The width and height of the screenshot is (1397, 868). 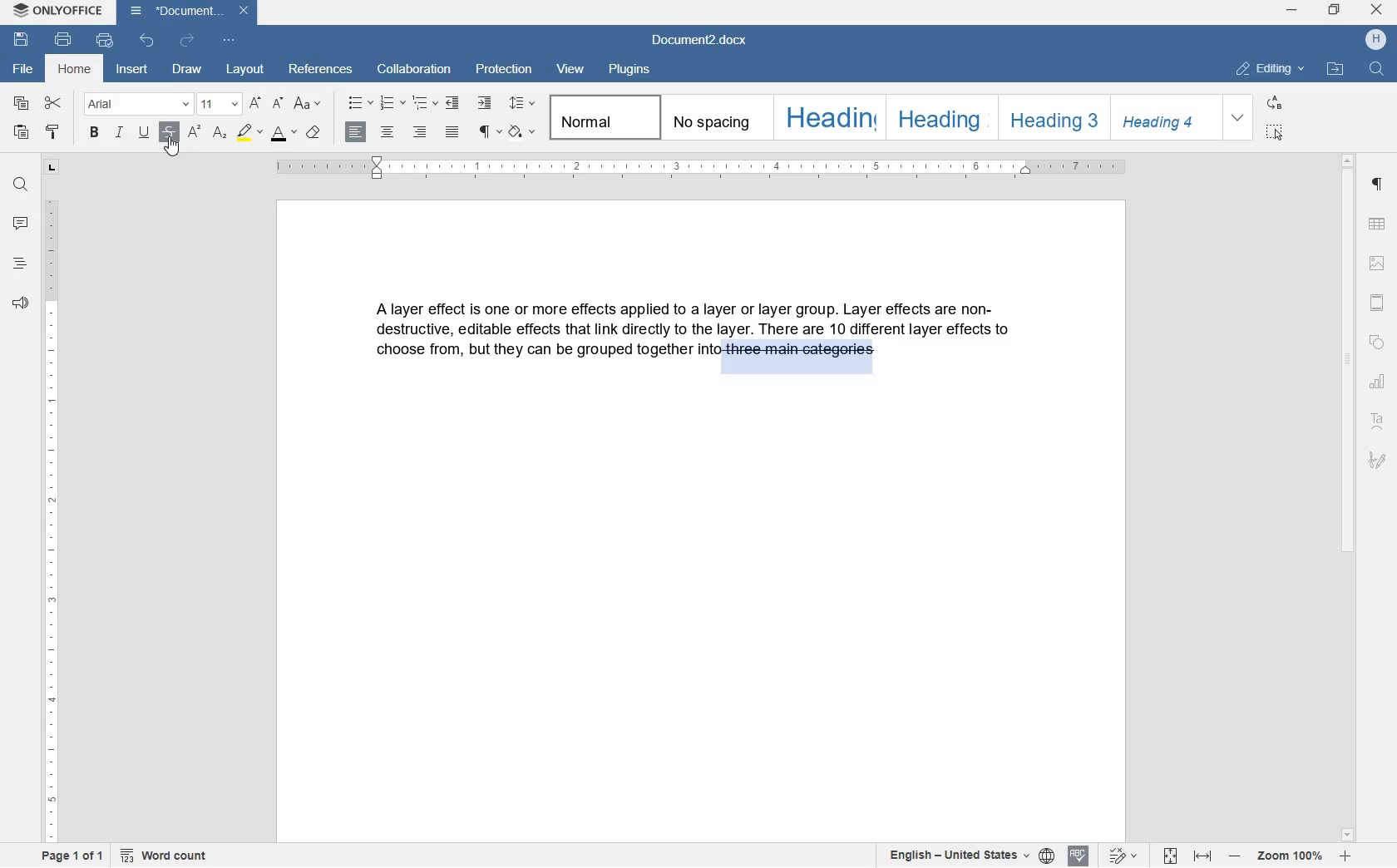 What do you see at coordinates (65, 41) in the screenshot?
I see `print` at bounding box center [65, 41].